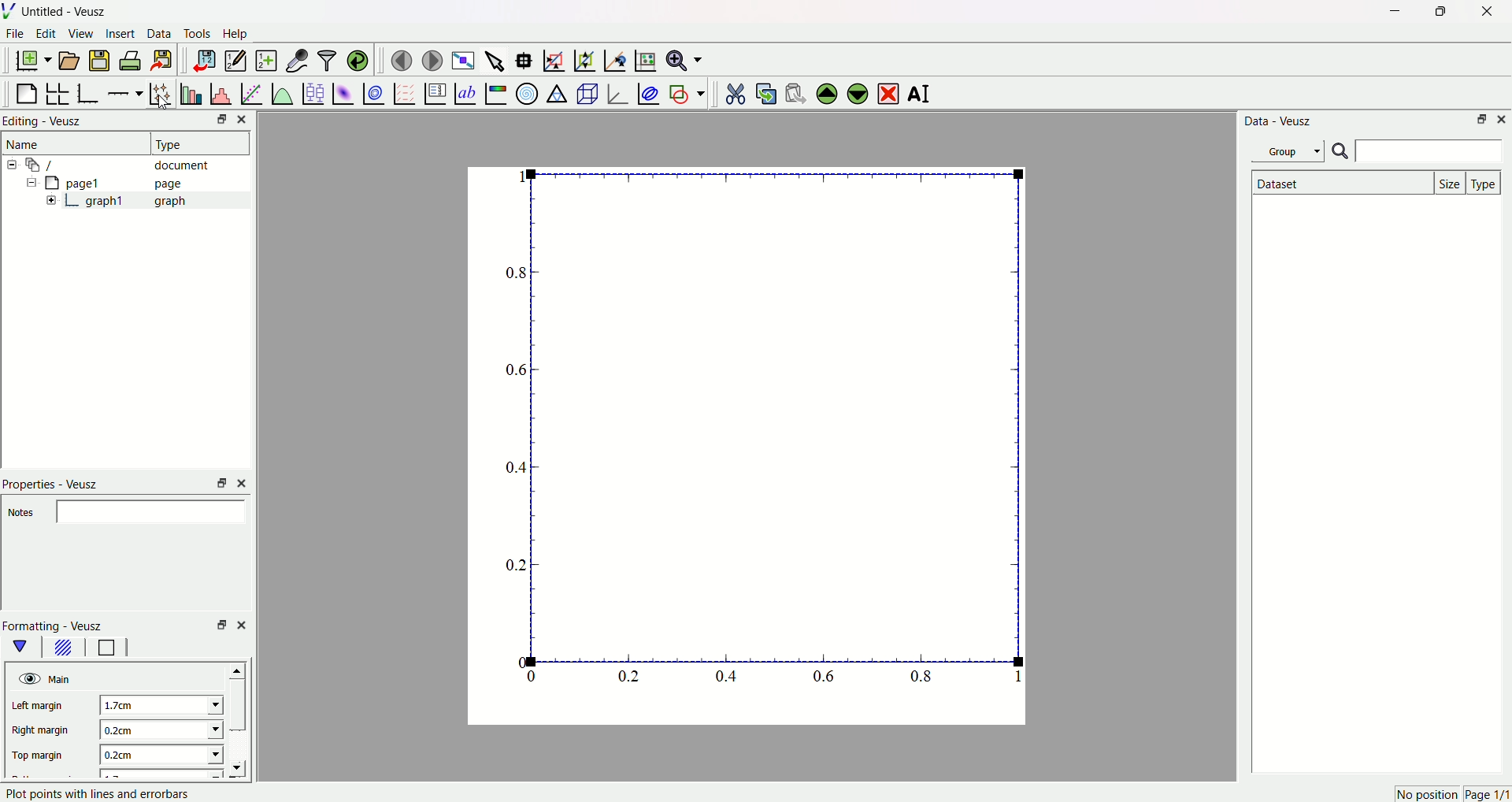  I want to click on plot 2 d datasets as image, so click(343, 92).